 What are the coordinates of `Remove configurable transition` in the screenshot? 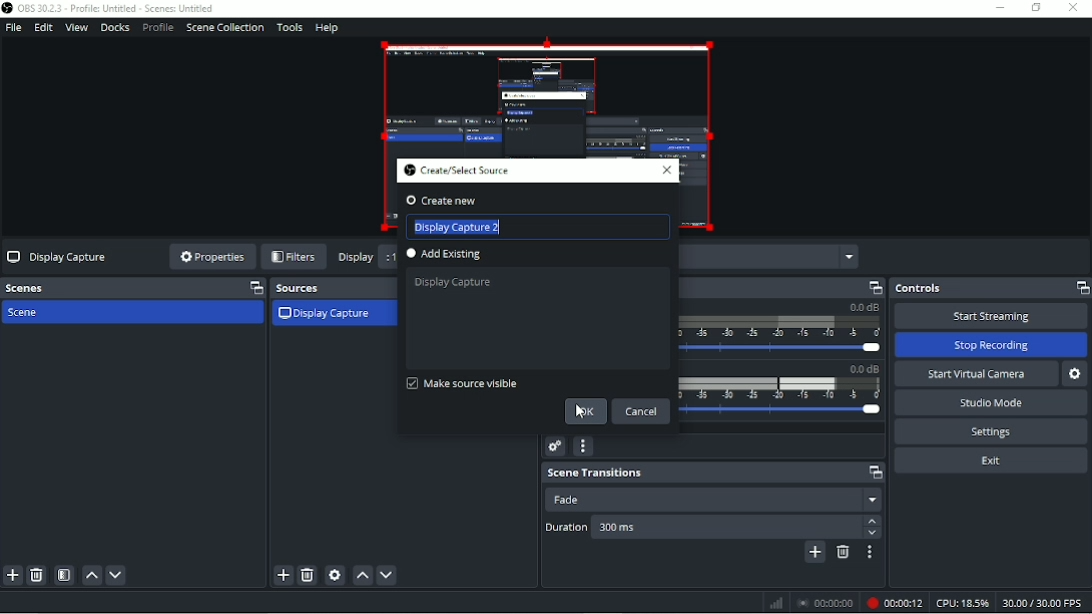 It's located at (842, 552).